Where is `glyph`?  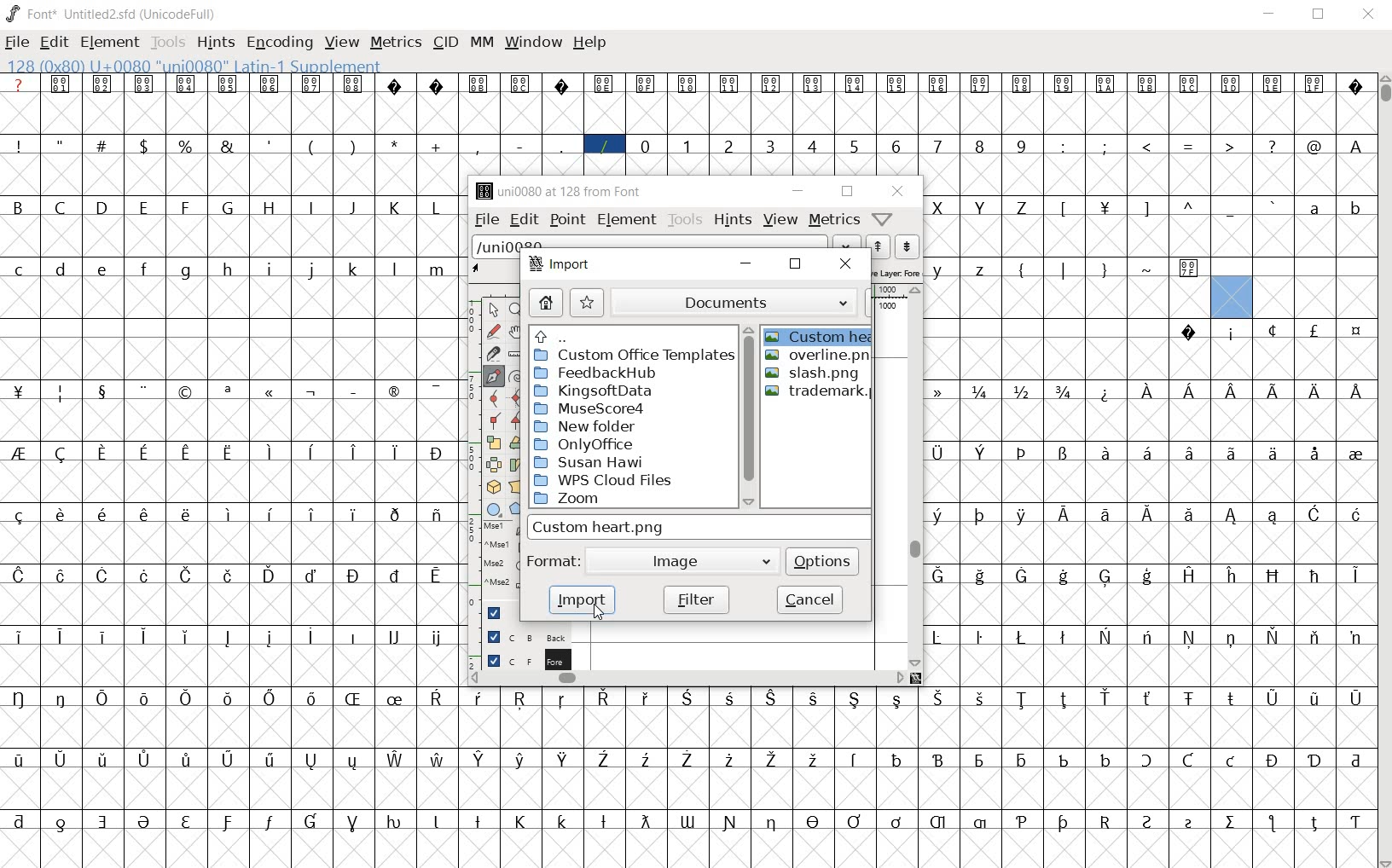 glyph is located at coordinates (1020, 208).